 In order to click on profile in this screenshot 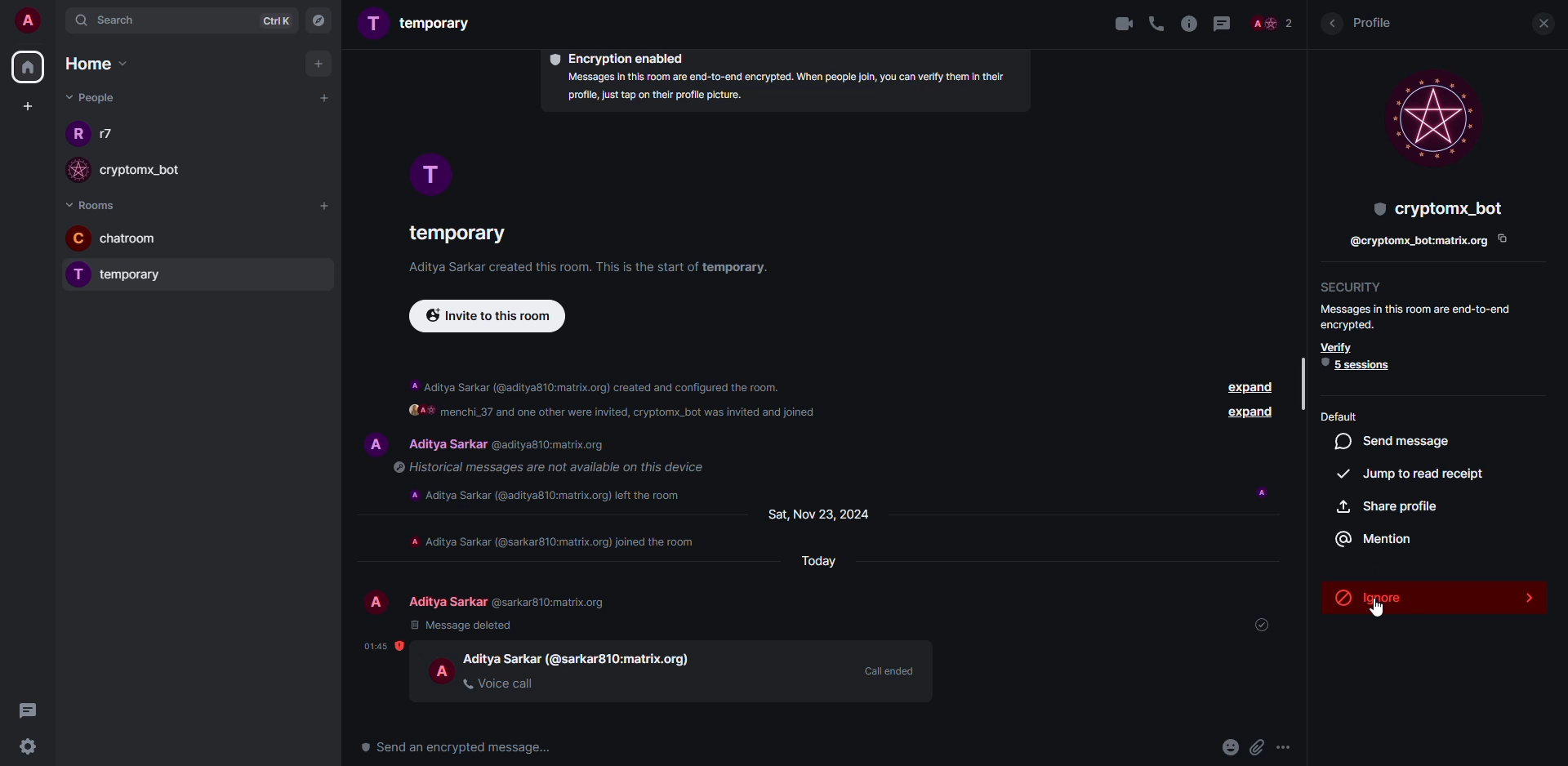, I will do `click(1432, 117)`.